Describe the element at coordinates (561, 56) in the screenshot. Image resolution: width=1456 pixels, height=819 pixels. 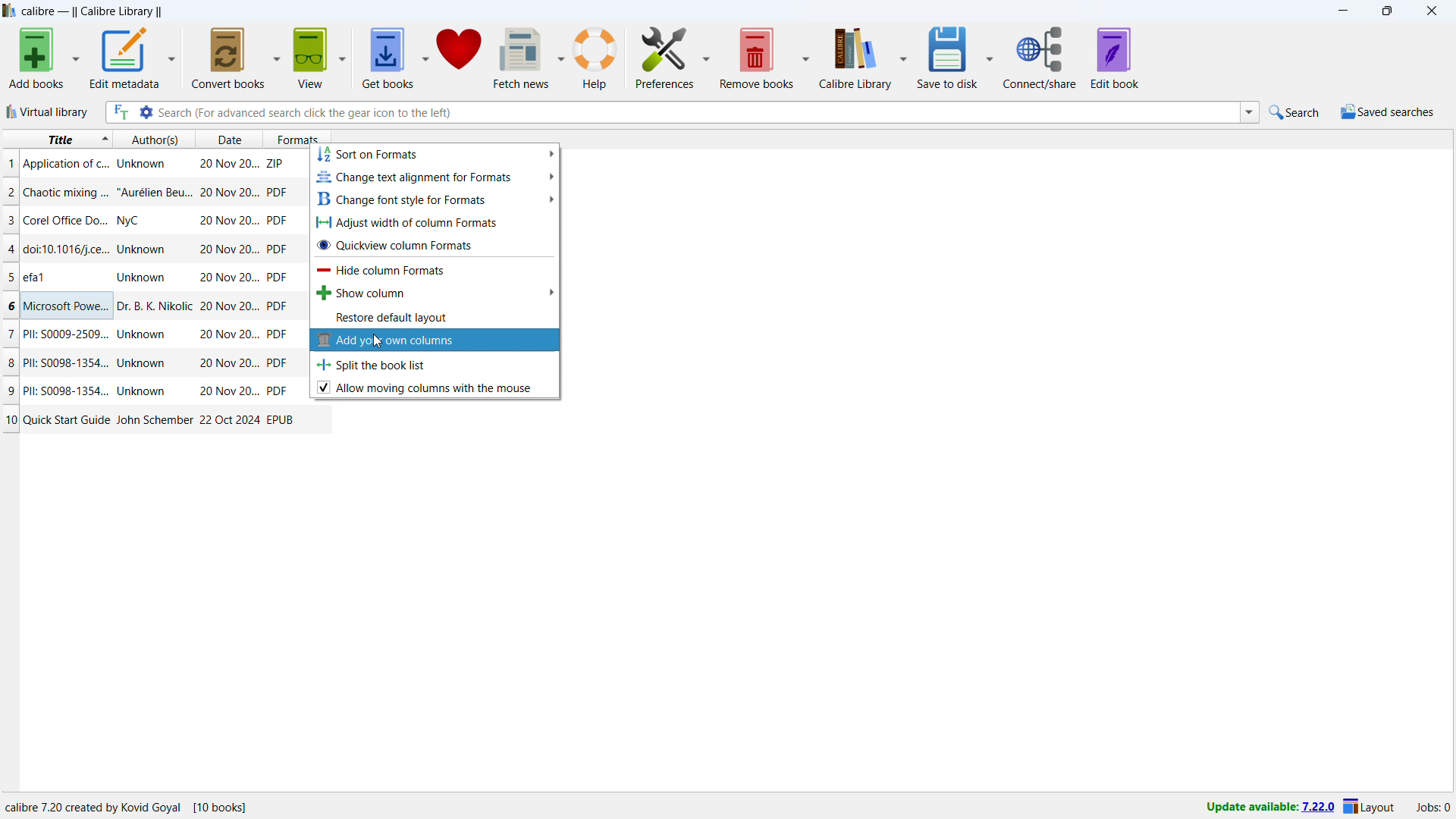
I see `fetch news options` at that location.